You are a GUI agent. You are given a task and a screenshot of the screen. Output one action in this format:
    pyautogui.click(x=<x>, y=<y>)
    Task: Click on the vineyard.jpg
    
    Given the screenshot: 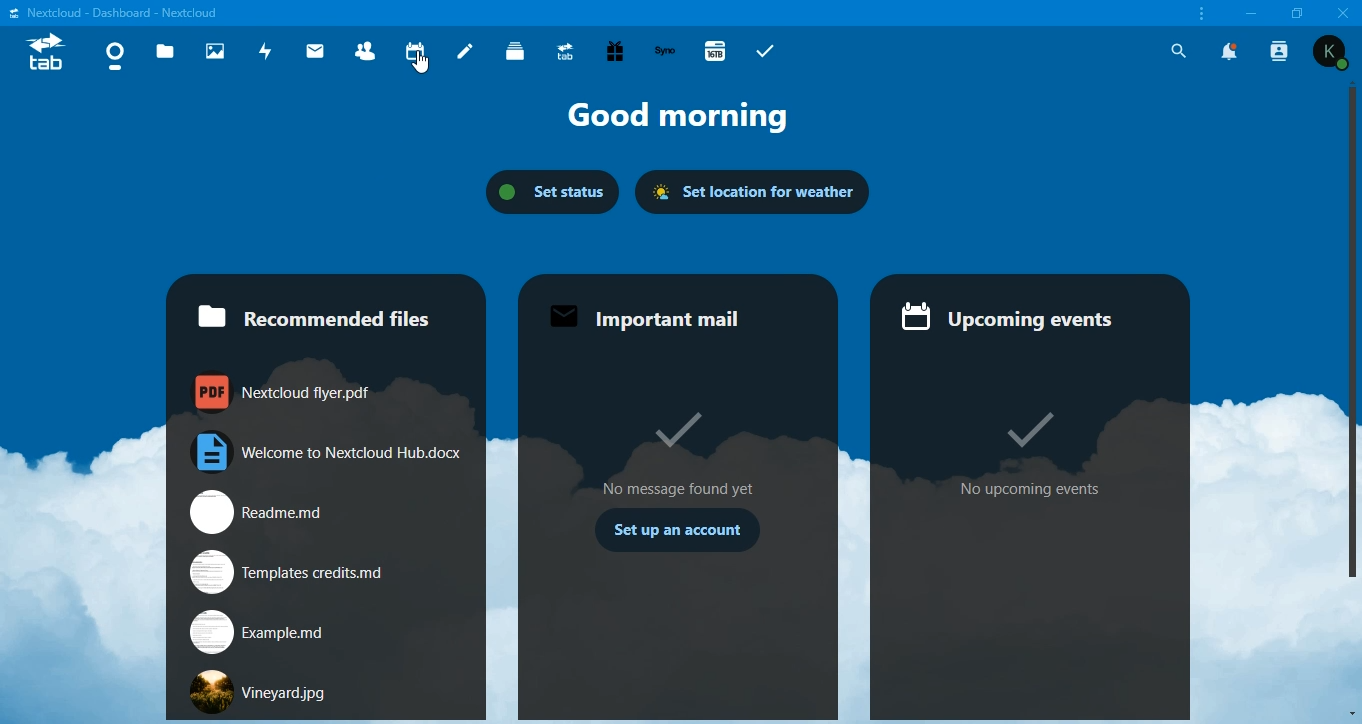 What is the action you would take?
    pyautogui.click(x=268, y=691)
    